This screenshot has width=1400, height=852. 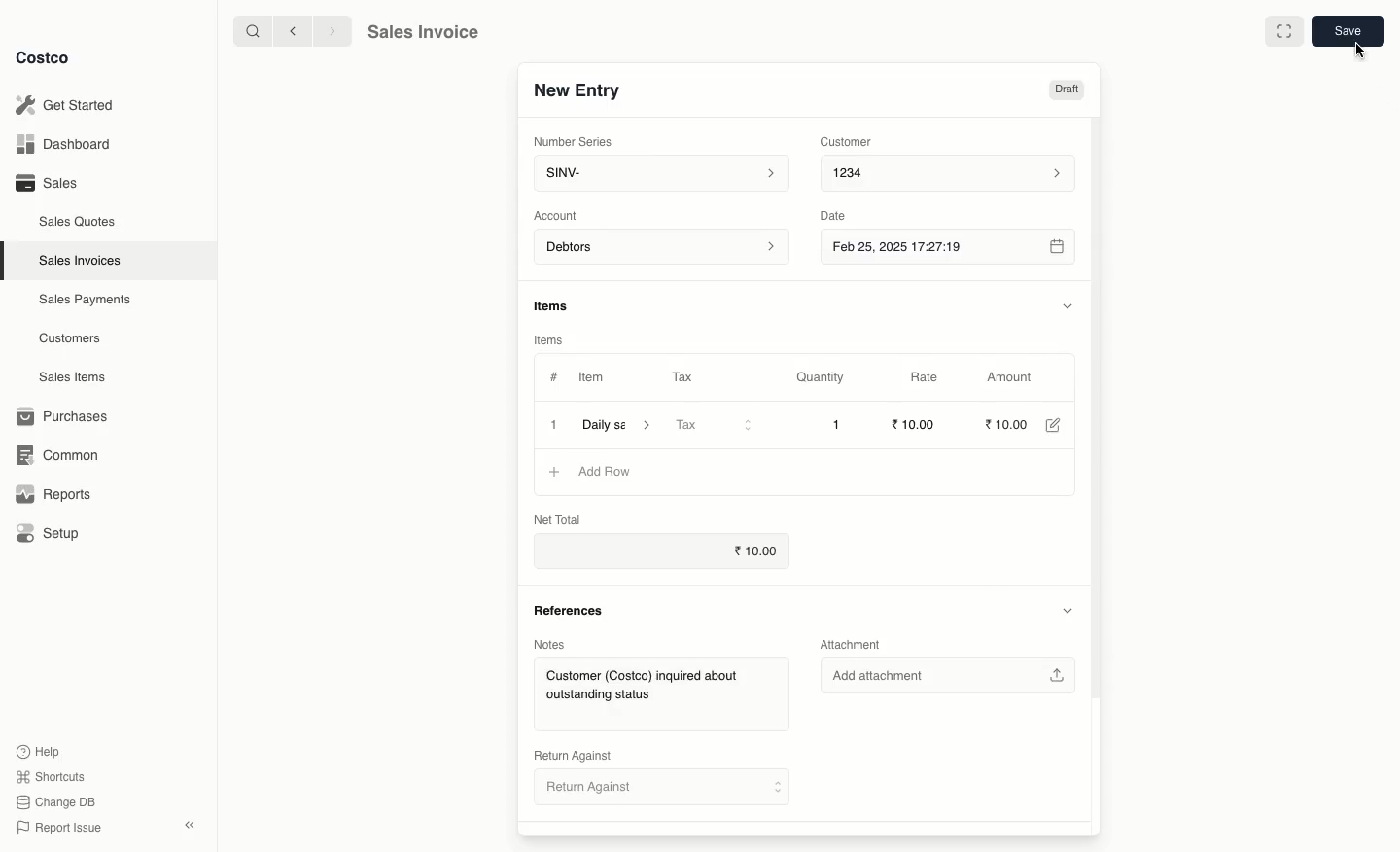 What do you see at coordinates (621, 424) in the screenshot?
I see `Daily sa` at bounding box center [621, 424].